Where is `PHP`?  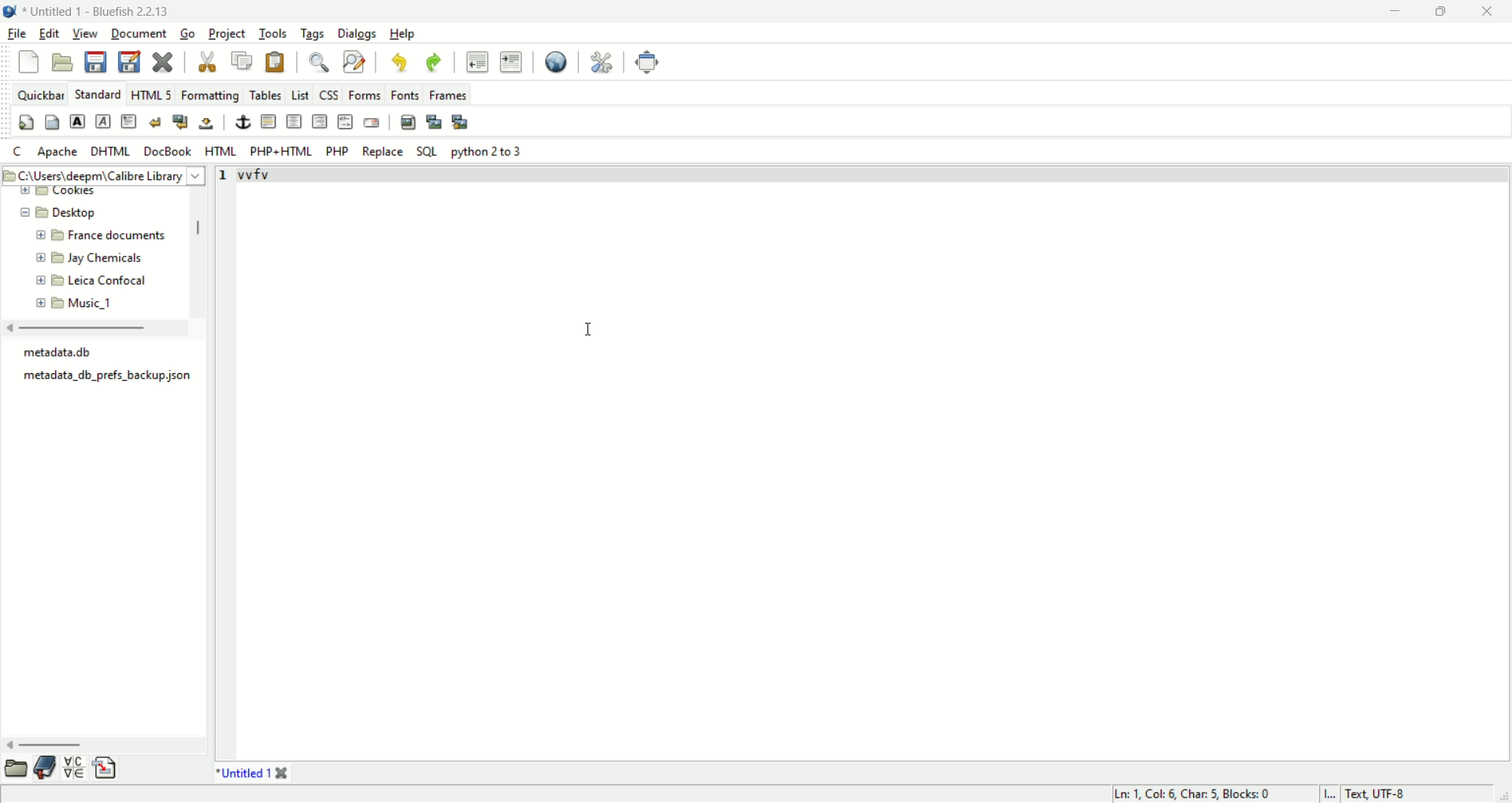 PHP is located at coordinates (337, 150).